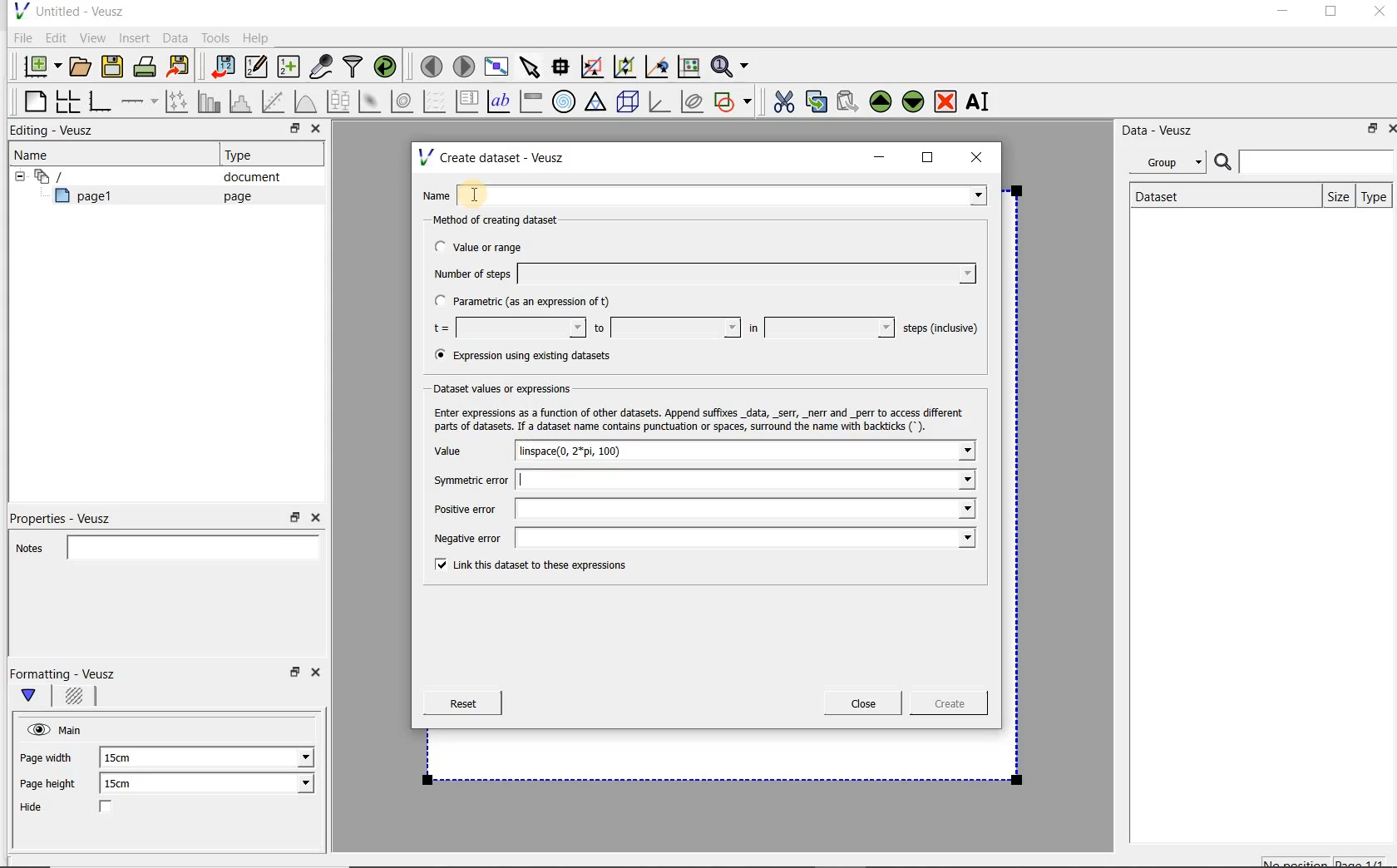 The image size is (1397, 868). I want to click on Paste widget from the clipboard, so click(850, 101).